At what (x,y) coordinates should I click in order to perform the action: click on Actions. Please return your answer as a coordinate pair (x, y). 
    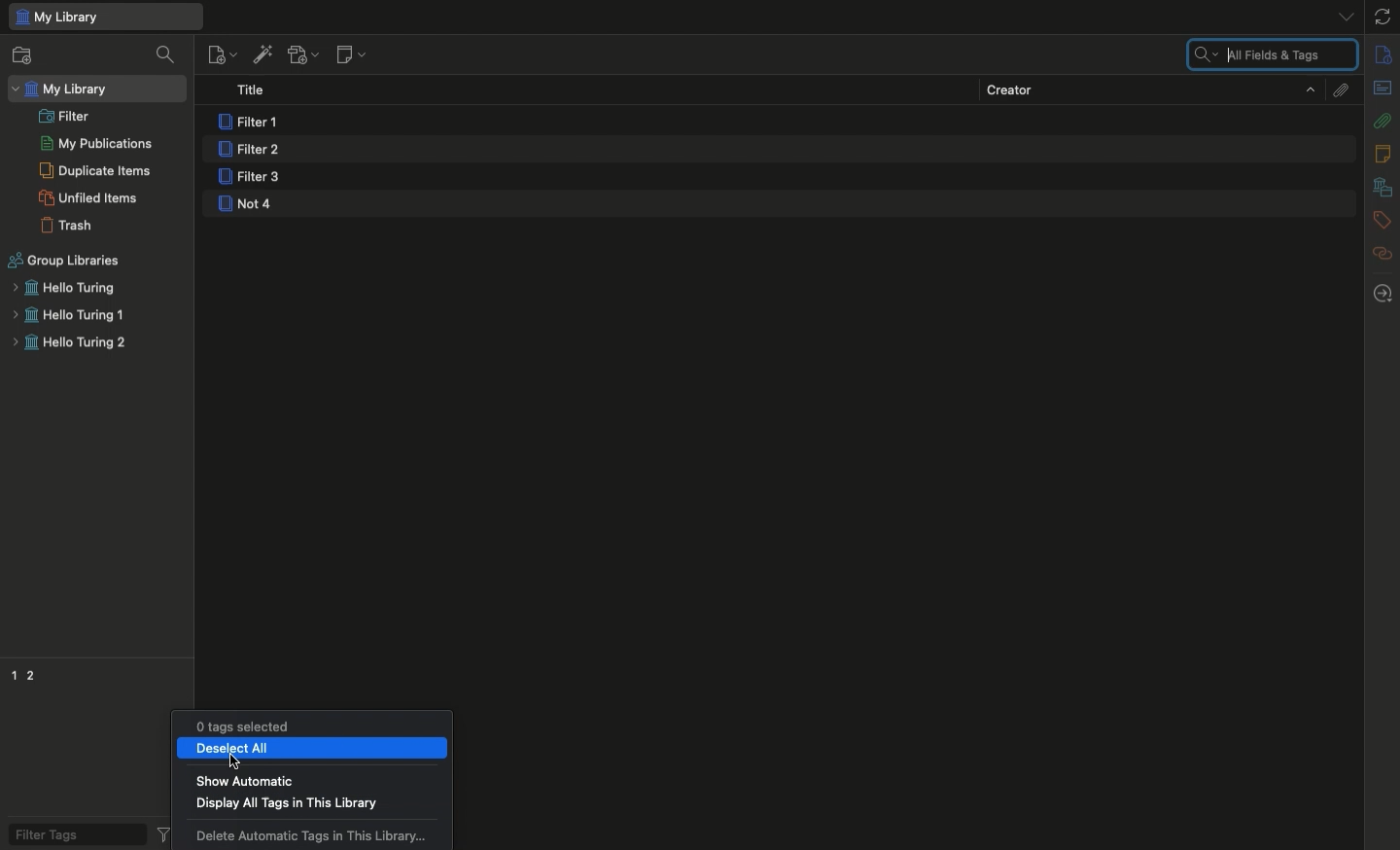
    Looking at the image, I should click on (165, 832).